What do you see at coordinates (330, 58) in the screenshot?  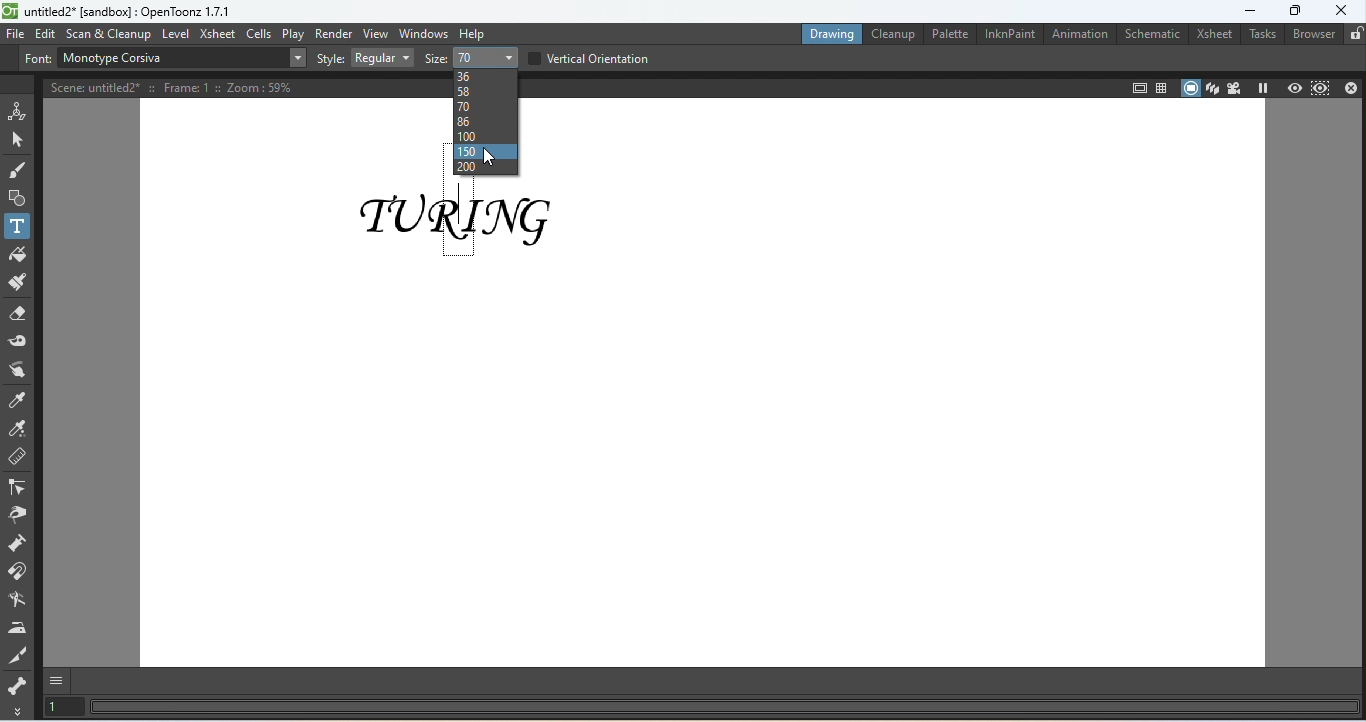 I see `Style` at bounding box center [330, 58].